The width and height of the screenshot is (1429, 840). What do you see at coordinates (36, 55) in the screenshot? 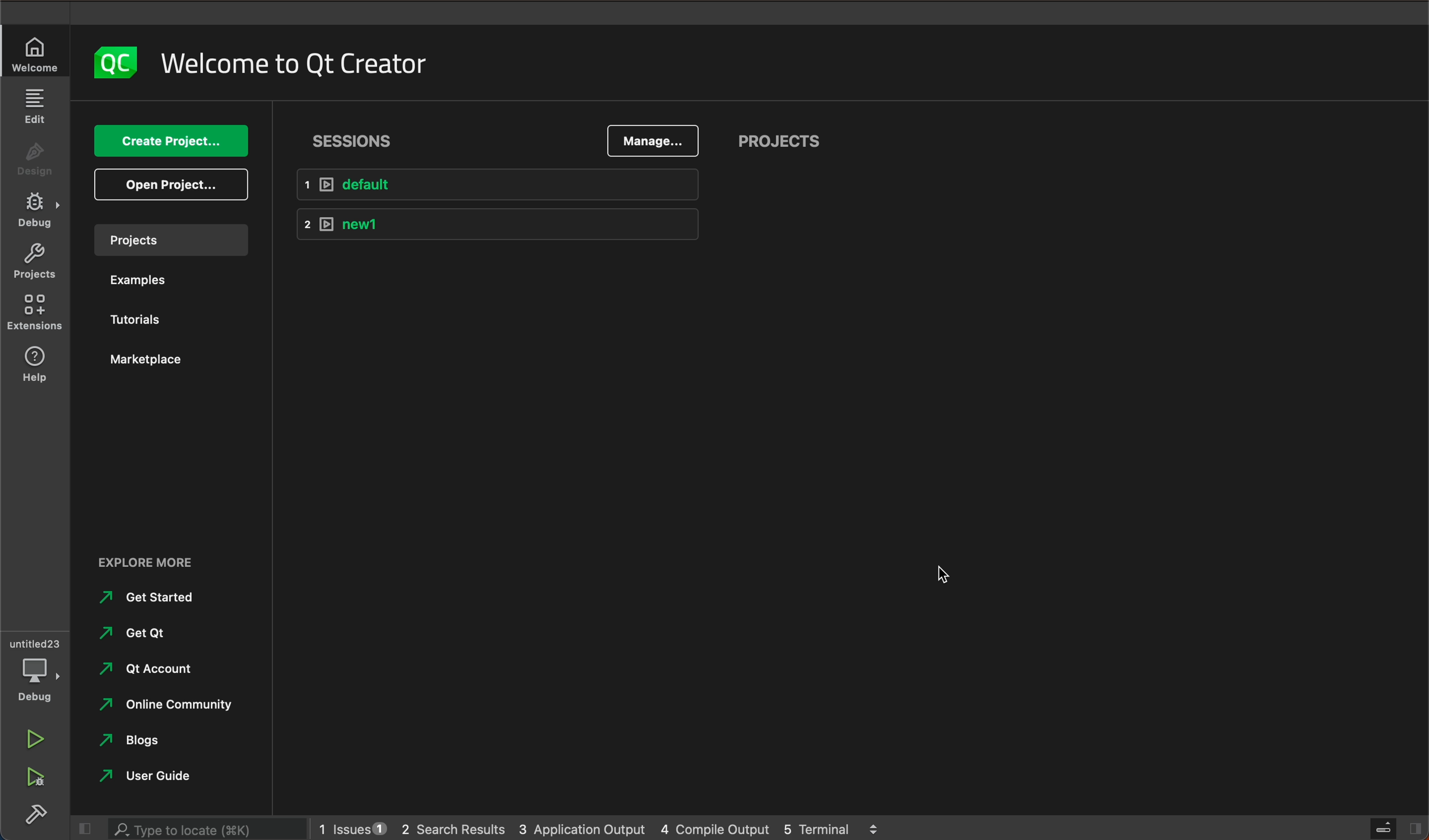
I see `welcome` at bounding box center [36, 55].